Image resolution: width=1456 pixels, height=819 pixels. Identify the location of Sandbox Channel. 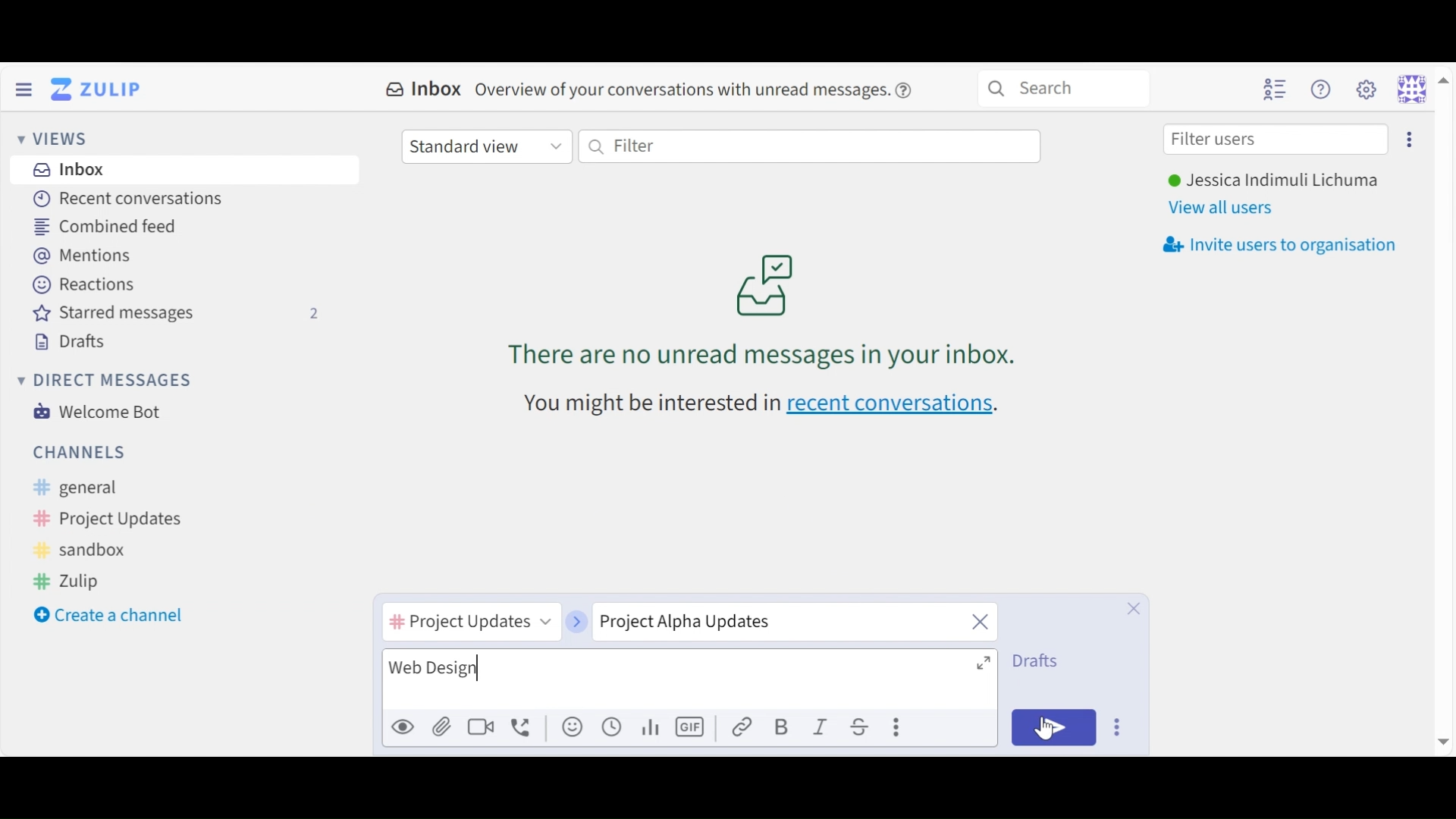
(86, 553).